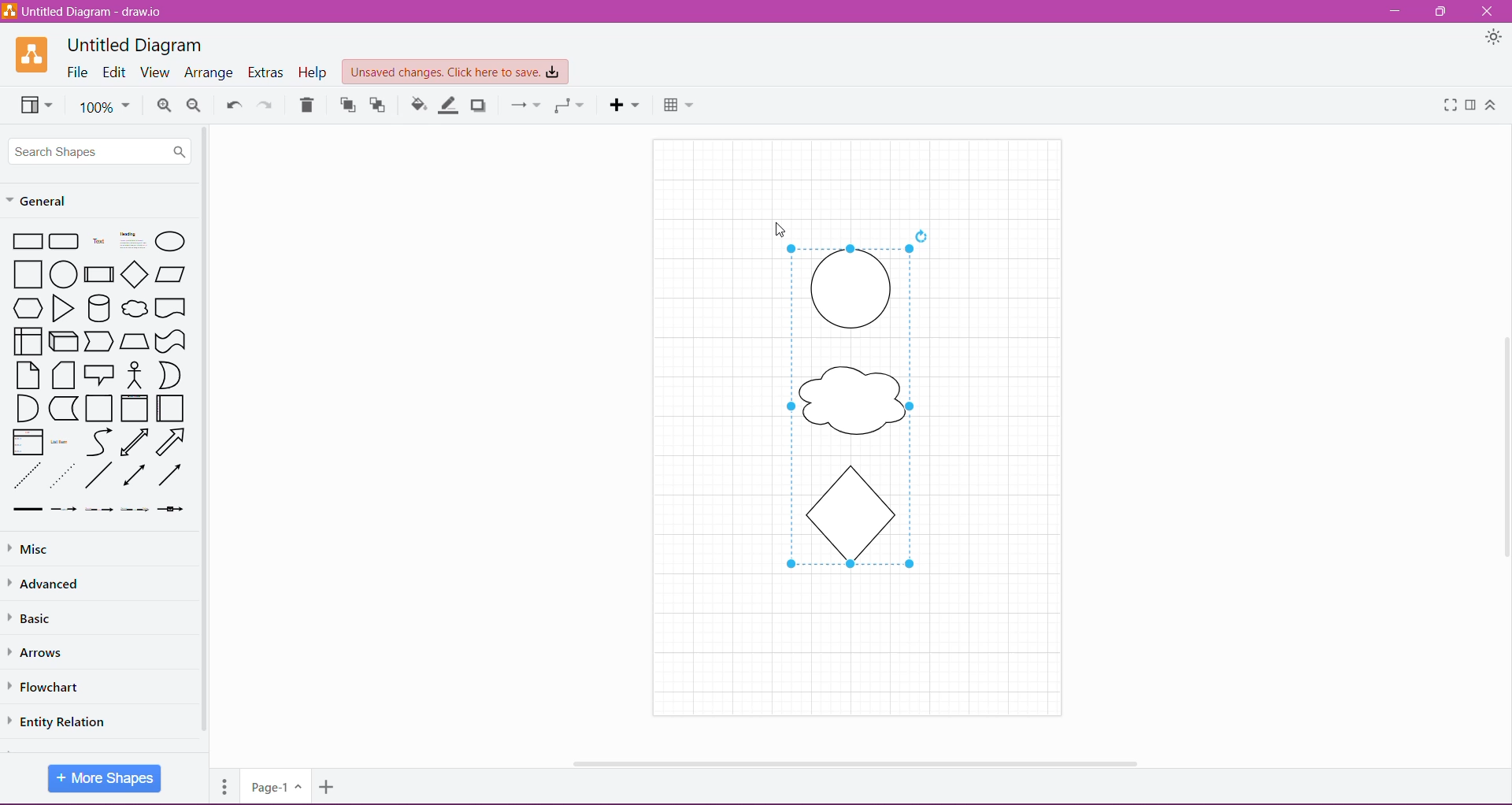 This screenshot has width=1512, height=805. Describe the element at coordinates (209, 73) in the screenshot. I see `Arrange` at that location.